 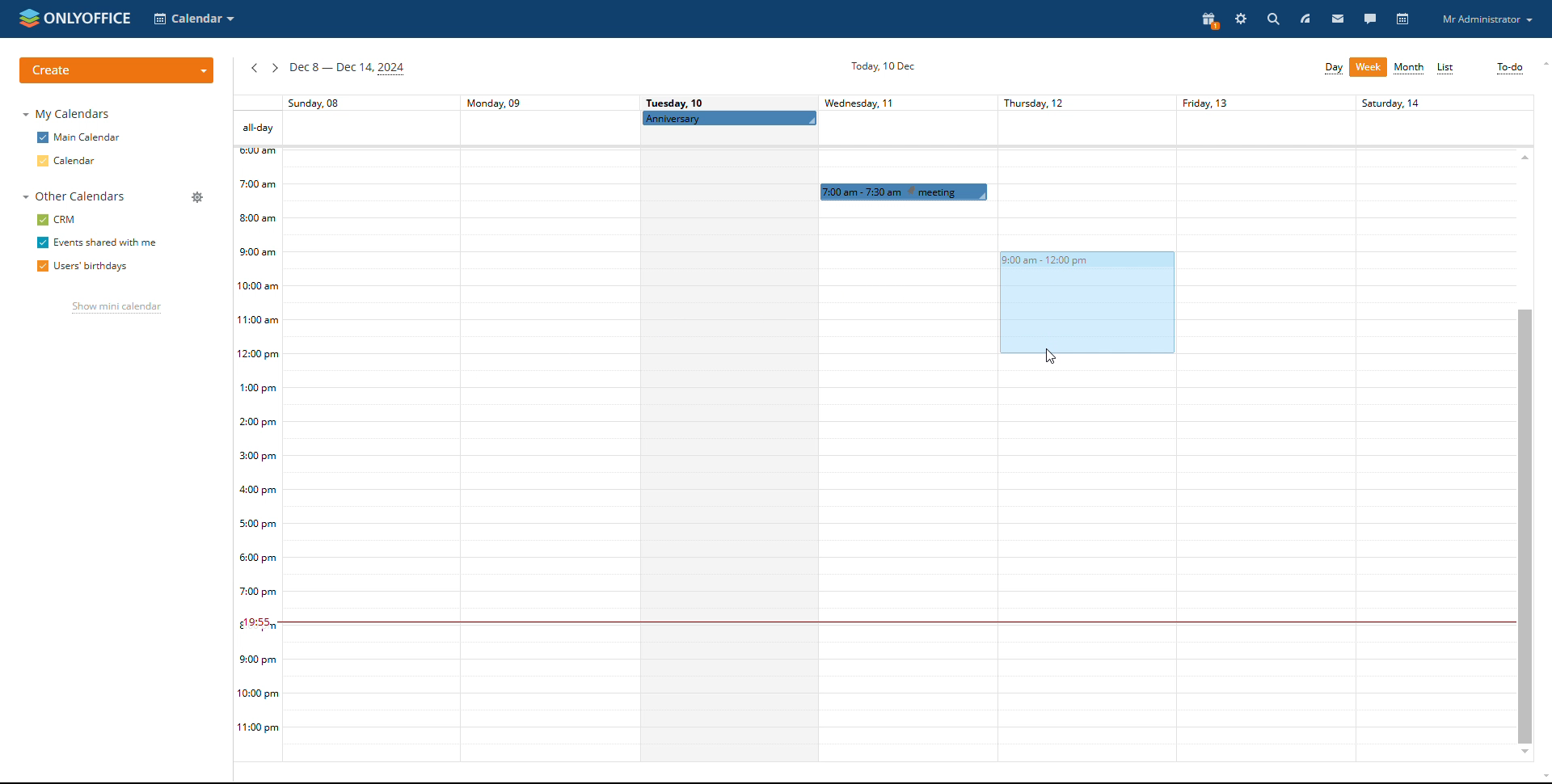 What do you see at coordinates (97, 268) in the screenshot?
I see `users' birthdays` at bounding box center [97, 268].